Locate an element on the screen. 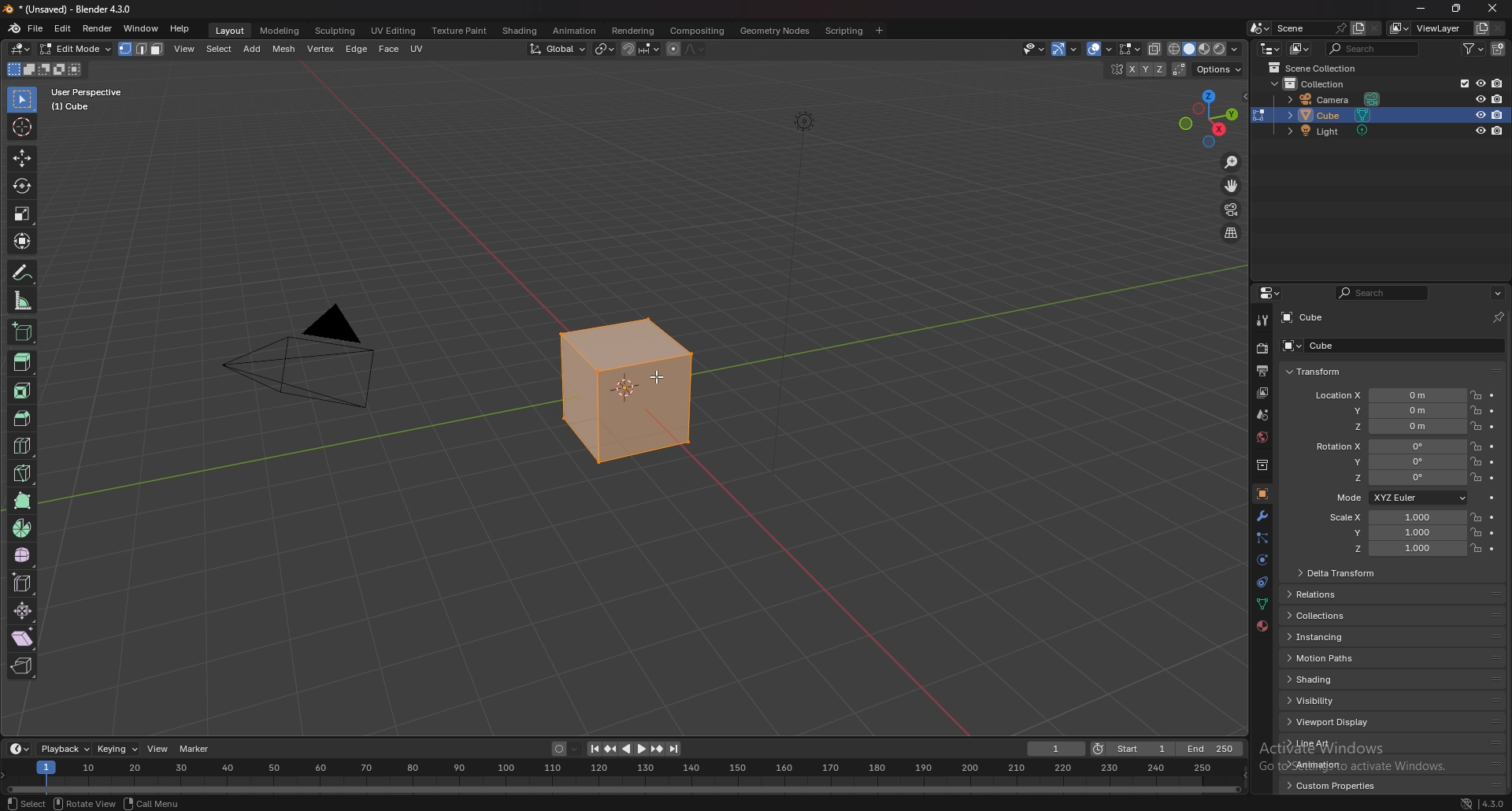 The height and width of the screenshot is (811, 1512). edge is located at coordinates (356, 50).